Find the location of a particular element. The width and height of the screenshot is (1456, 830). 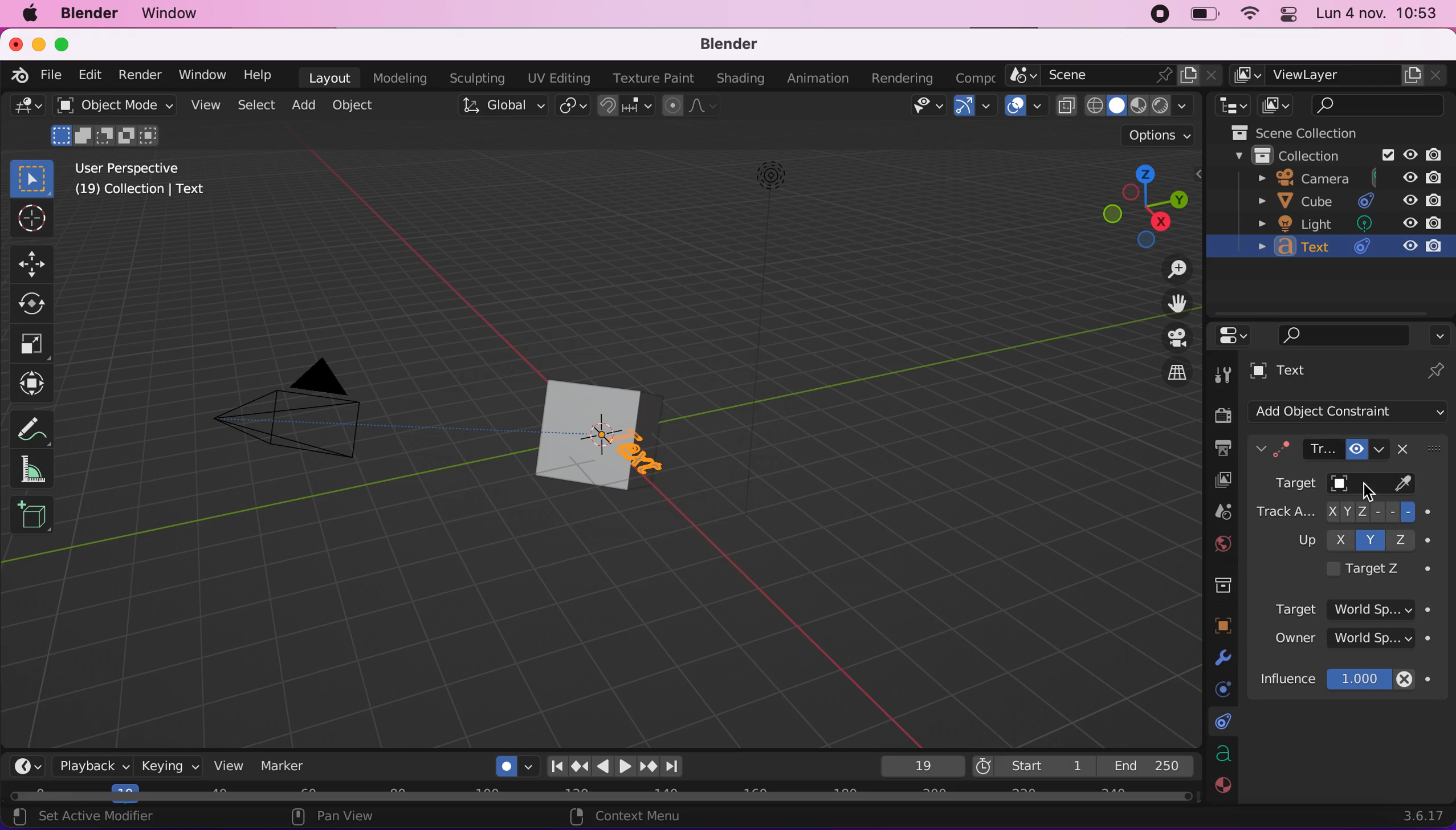

modeling is located at coordinates (405, 78).